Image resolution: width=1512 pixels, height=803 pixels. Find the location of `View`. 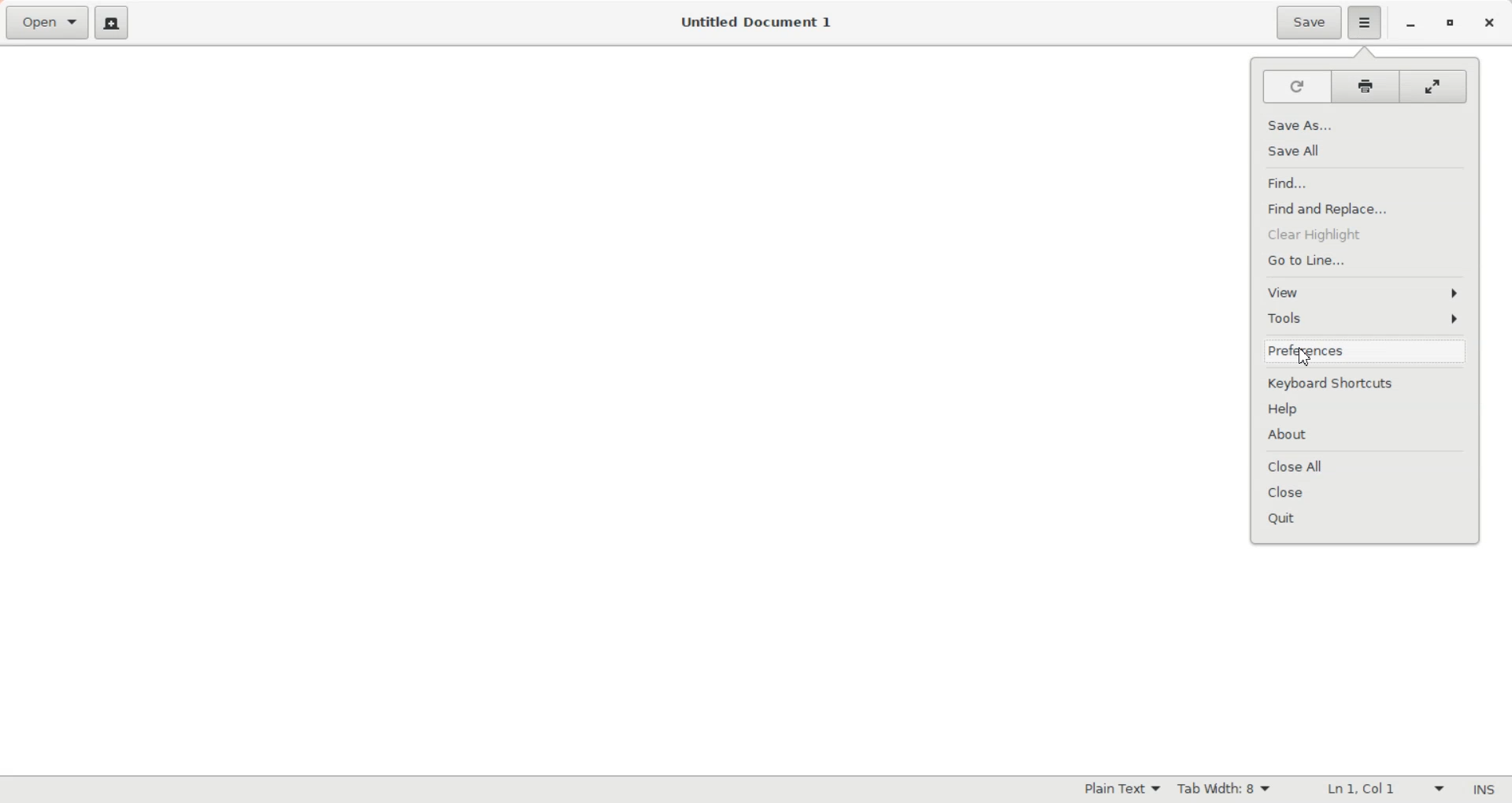

View is located at coordinates (1365, 290).